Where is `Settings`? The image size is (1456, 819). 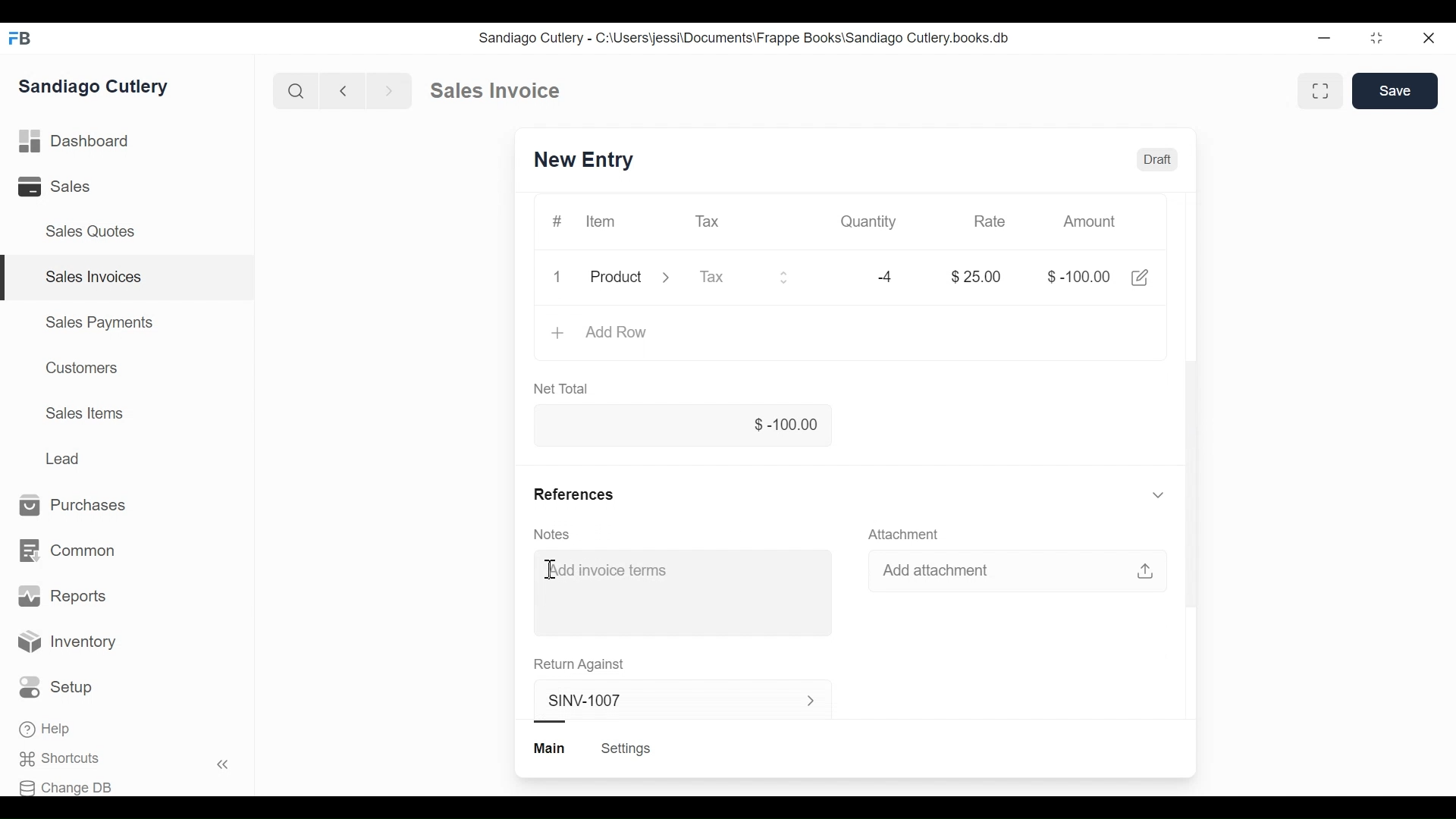
Settings is located at coordinates (626, 748).